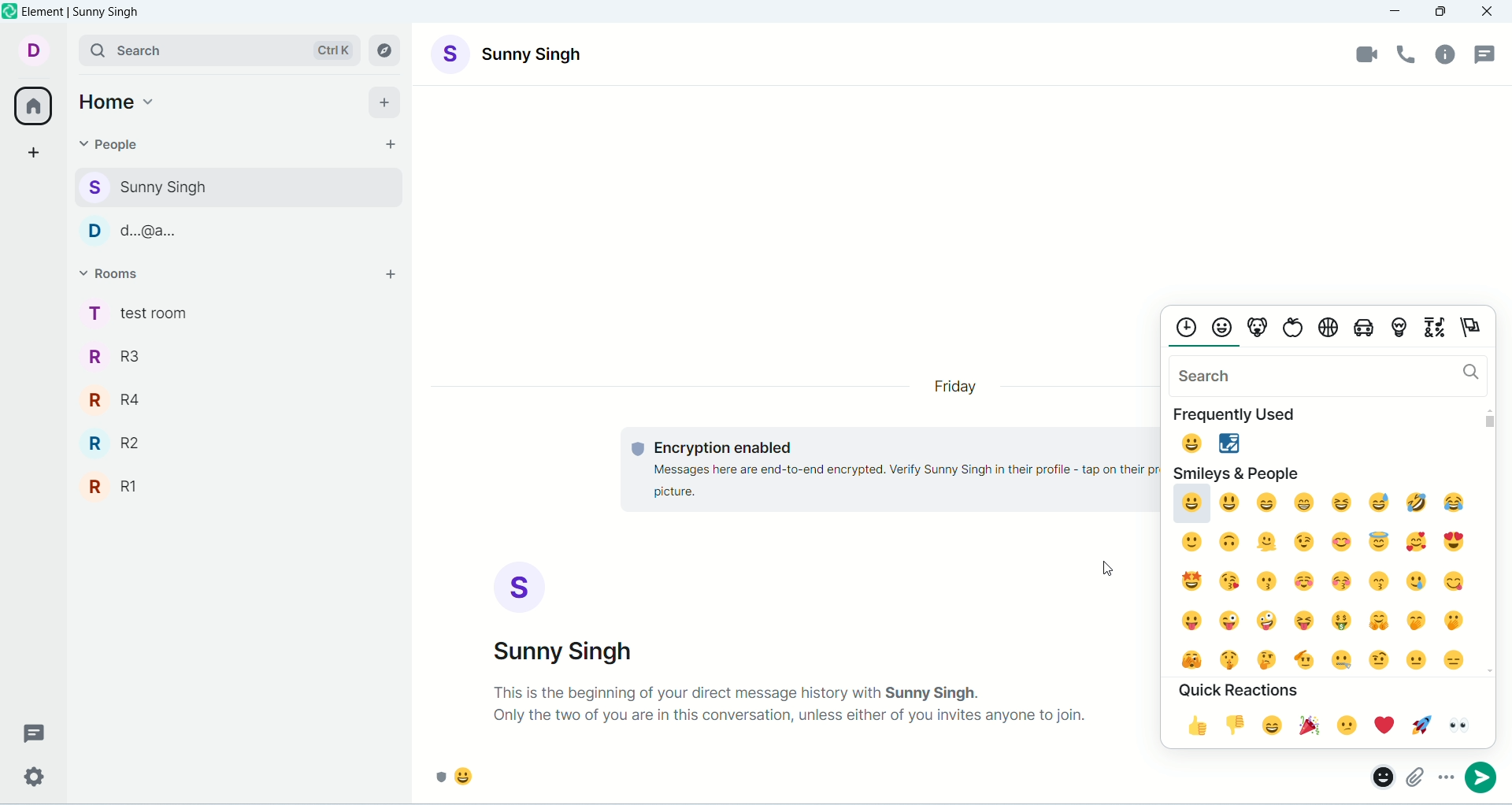  What do you see at coordinates (119, 100) in the screenshot?
I see `home` at bounding box center [119, 100].